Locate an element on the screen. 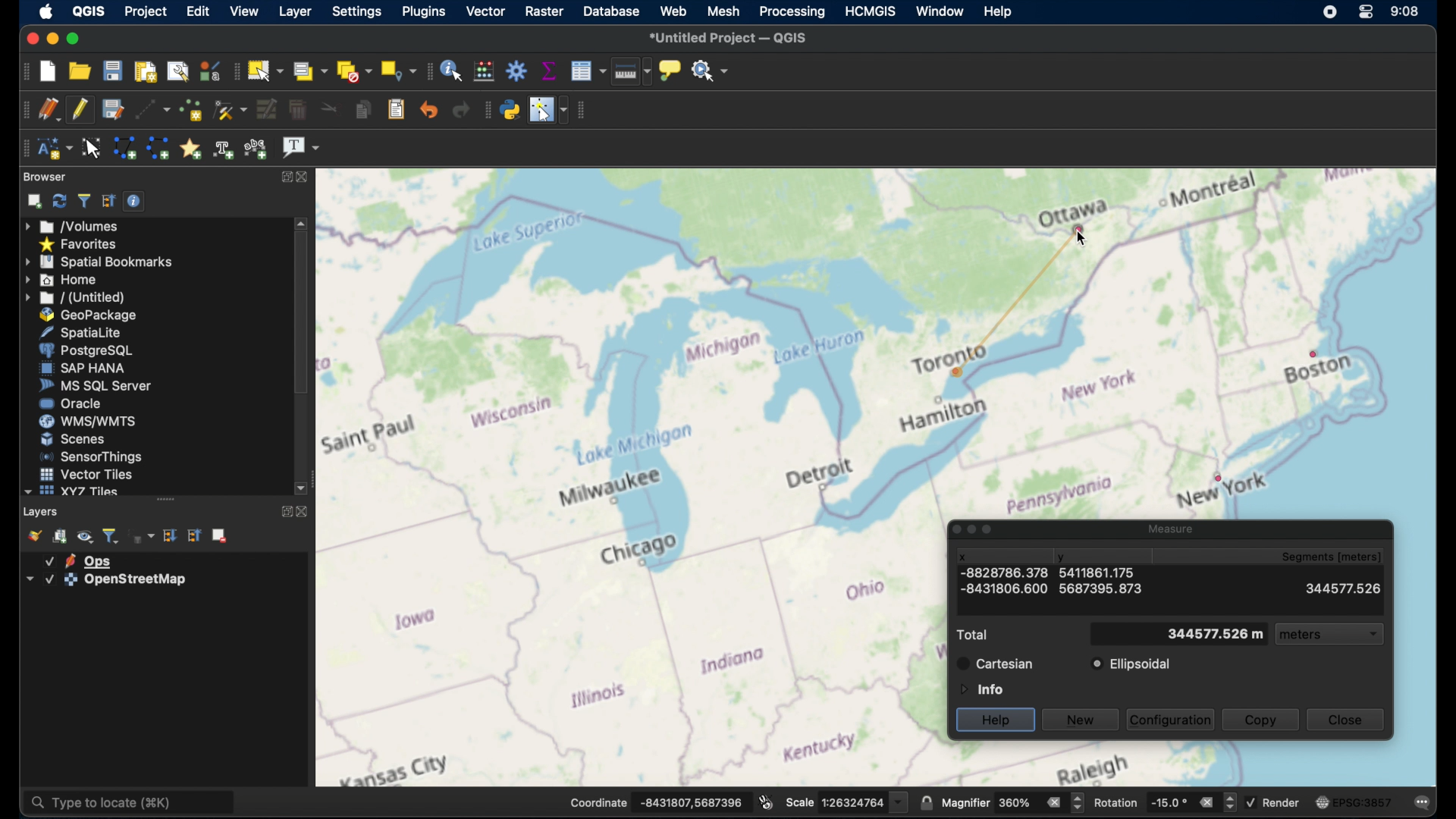  x is located at coordinates (963, 557).